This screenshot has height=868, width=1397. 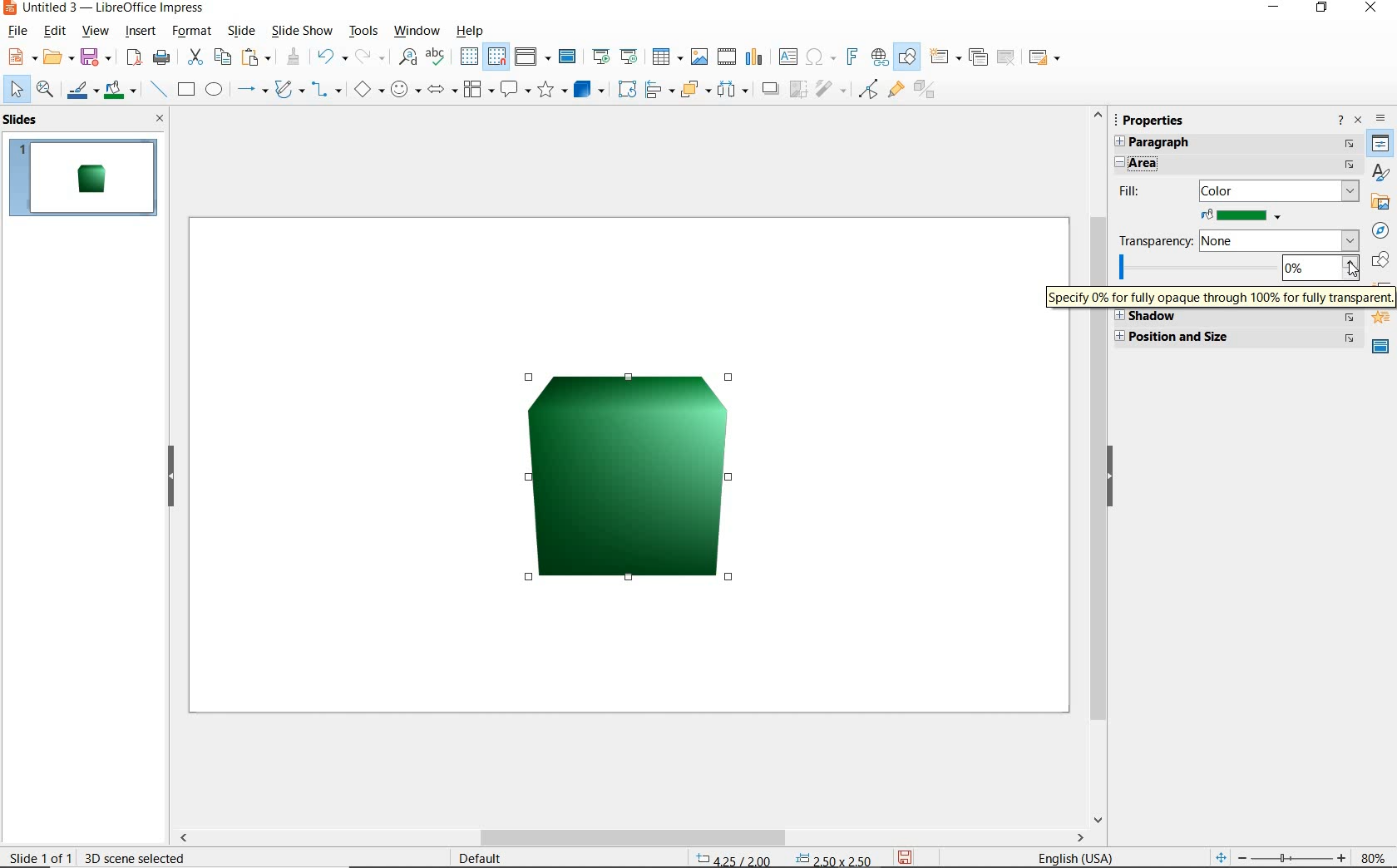 What do you see at coordinates (1373, 9) in the screenshot?
I see `CLOSE` at bounding box center [1373, 9].